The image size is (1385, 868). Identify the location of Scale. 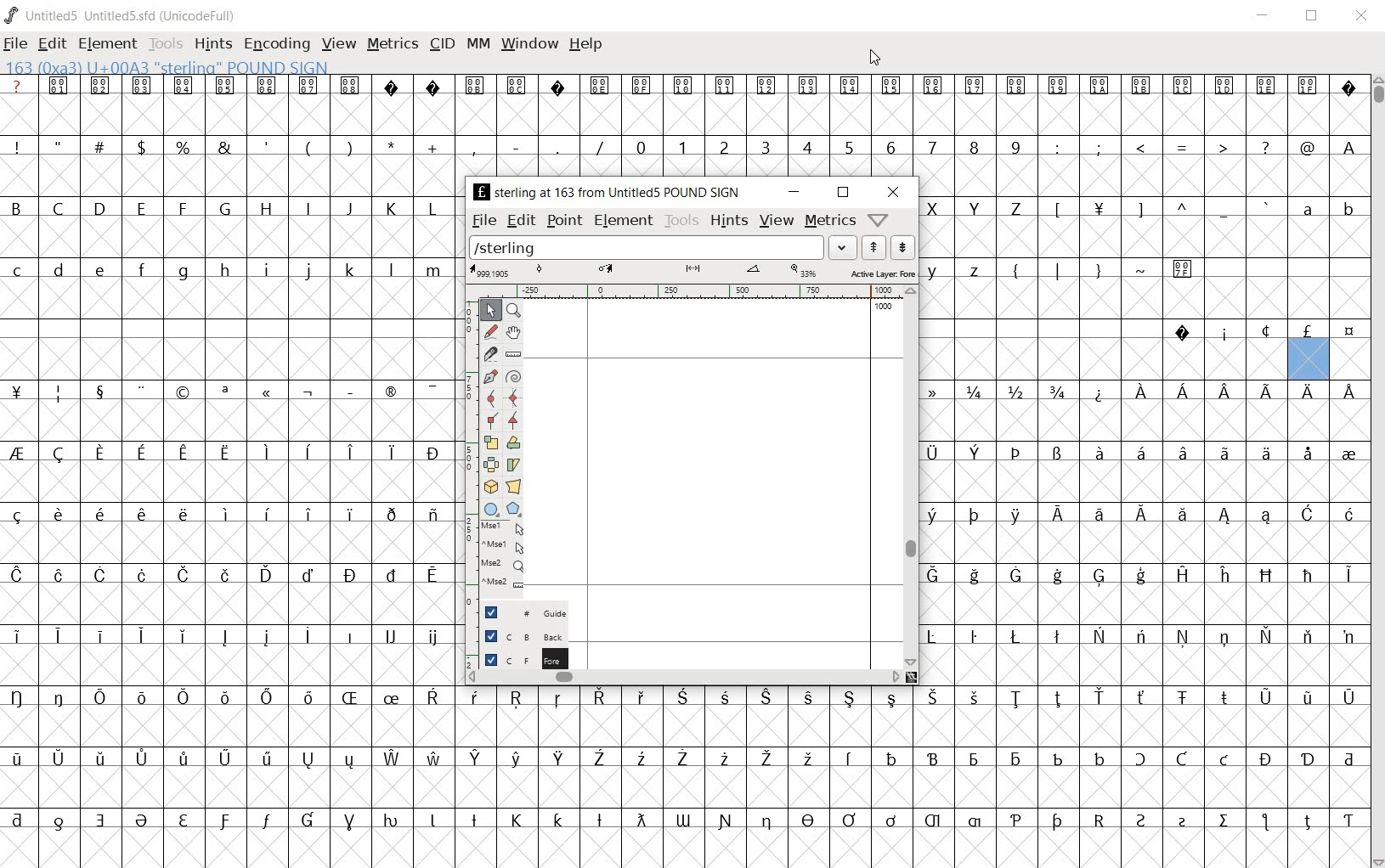
(495, 442).